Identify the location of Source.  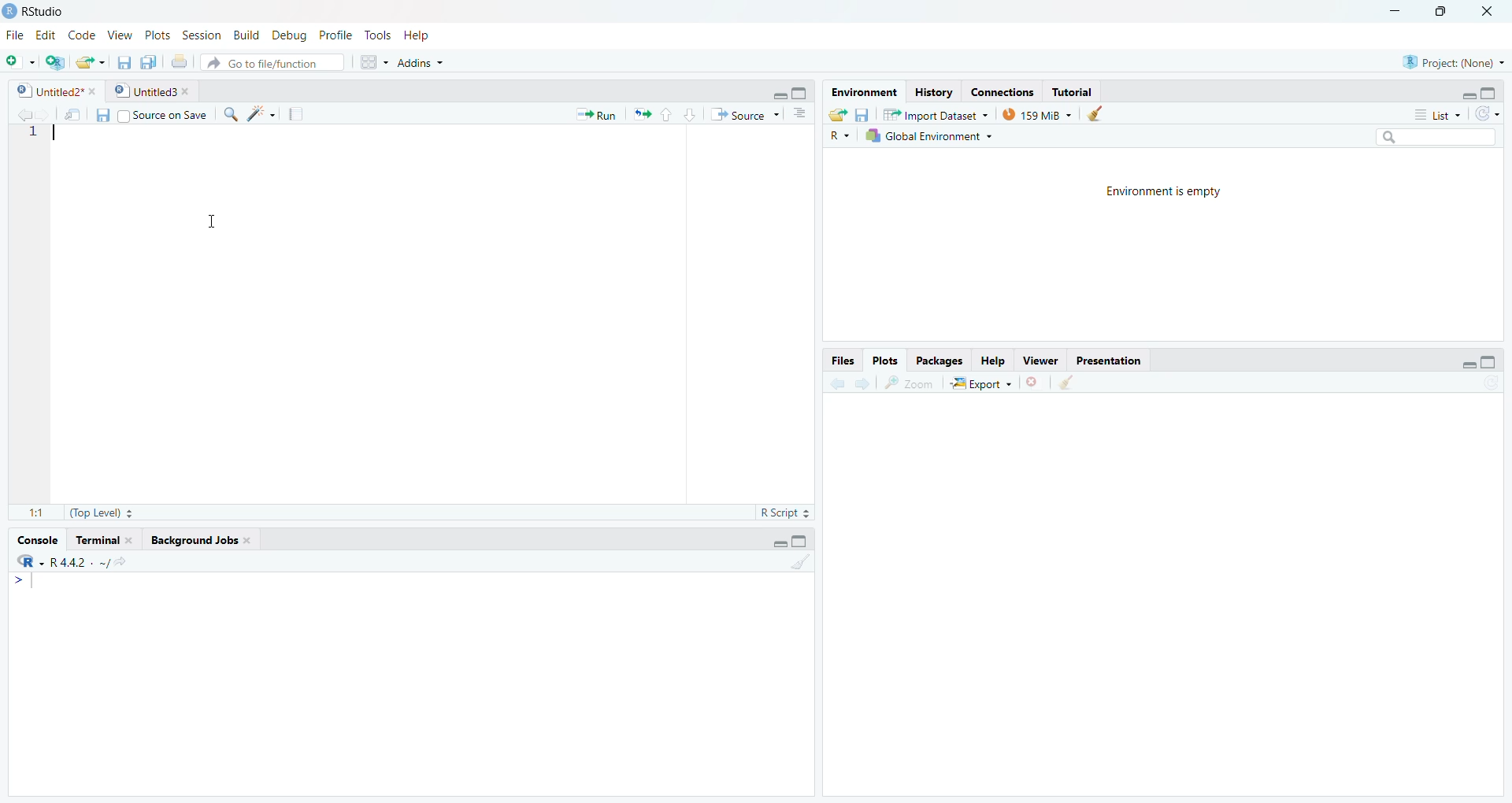
(743, 117).